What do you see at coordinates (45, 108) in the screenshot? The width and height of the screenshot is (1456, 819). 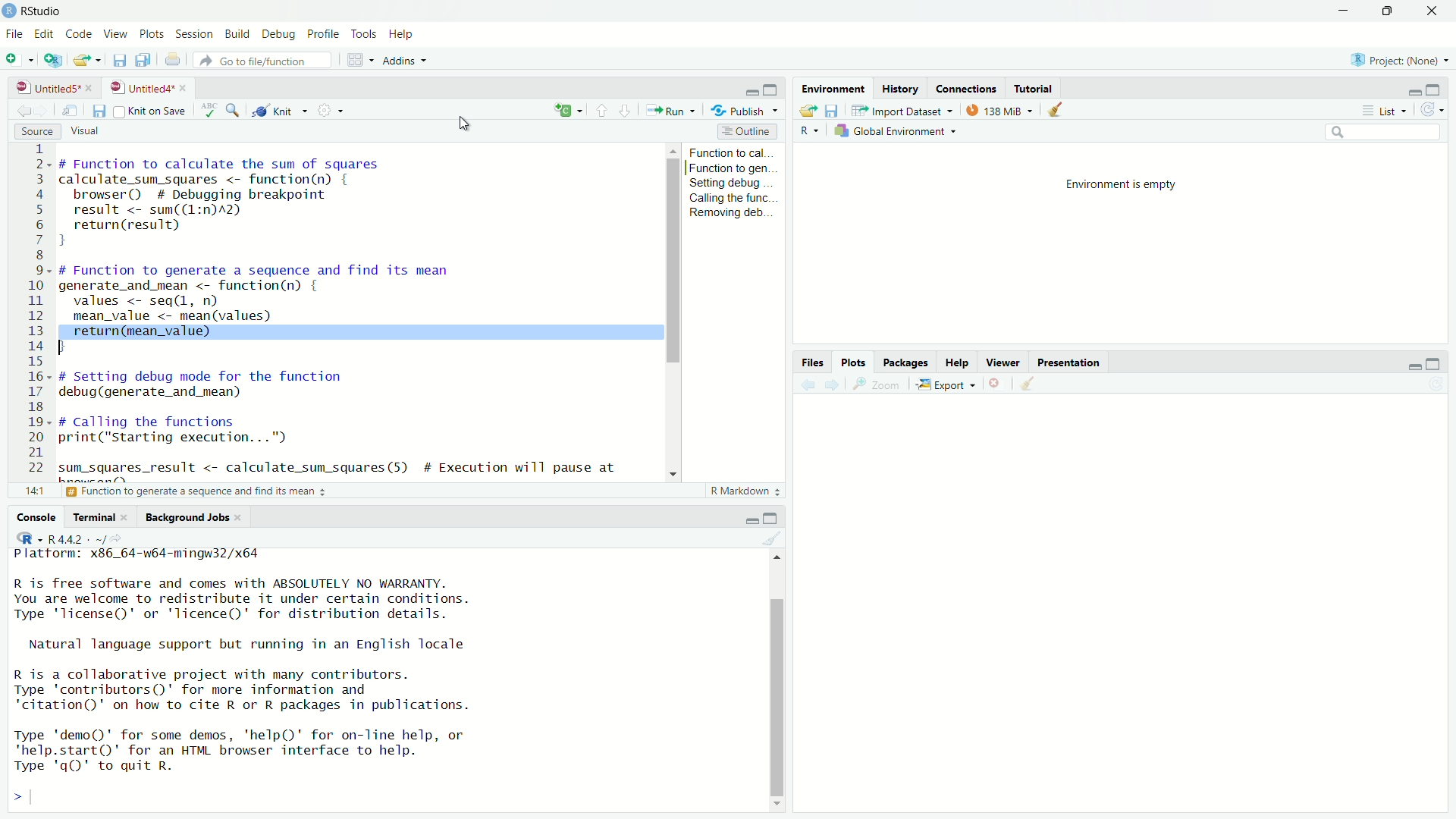 I see `go forward to the next source location` at bounding box center [45, 108].